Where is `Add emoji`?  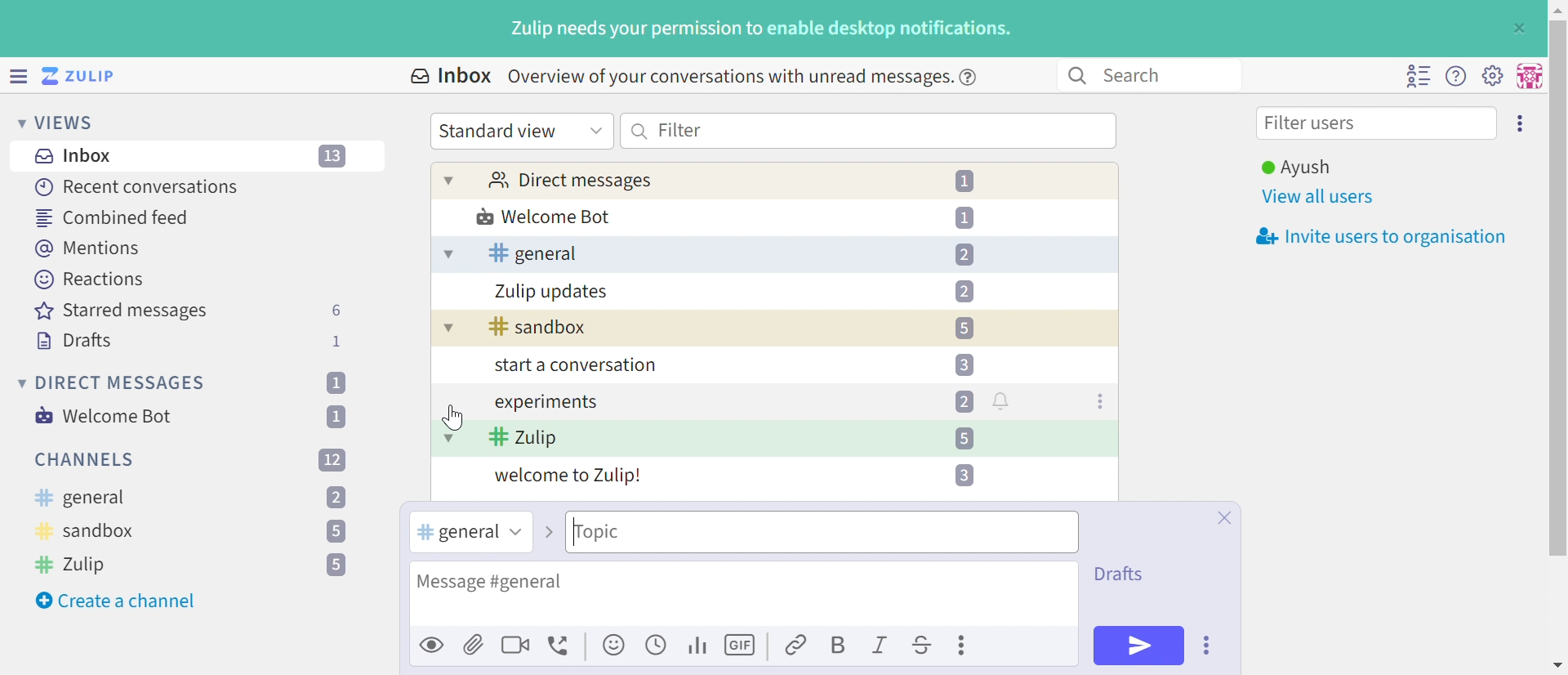
Add emoji is located at coordinates (615, 646).